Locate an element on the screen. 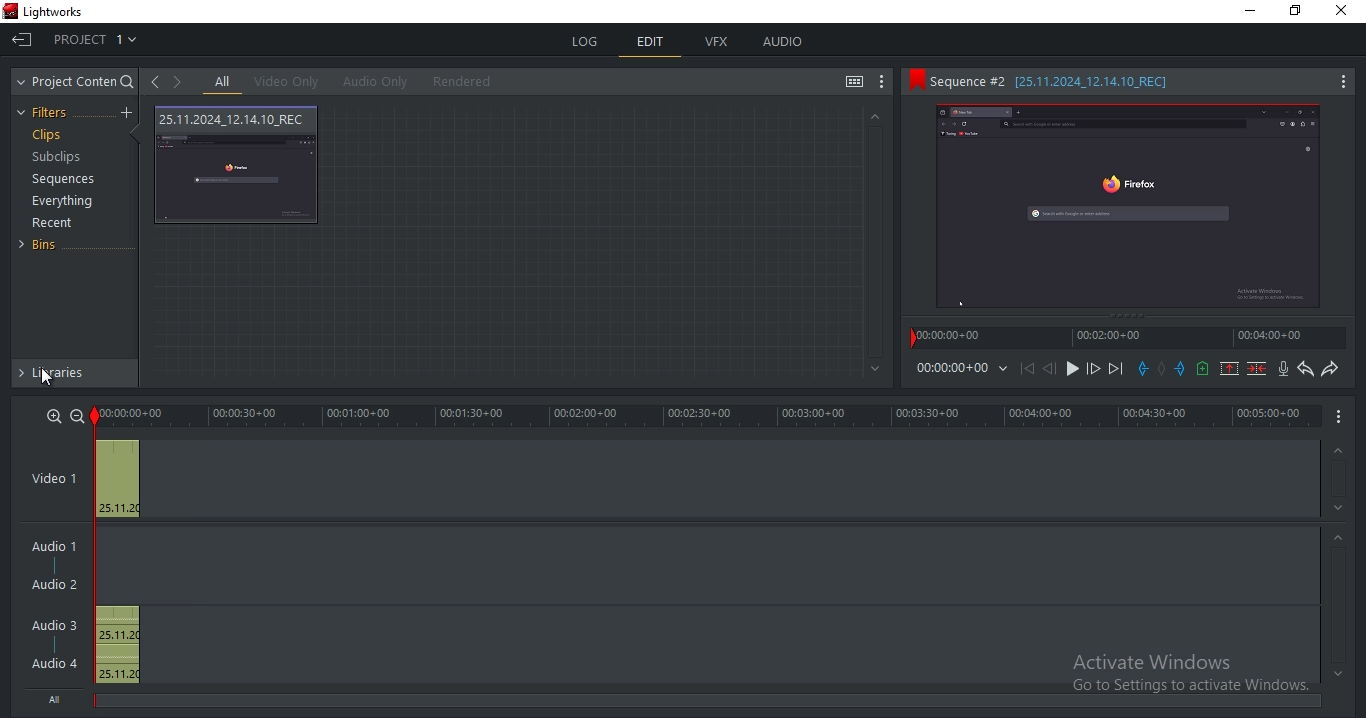  recent is located at coordinates (55, 225).